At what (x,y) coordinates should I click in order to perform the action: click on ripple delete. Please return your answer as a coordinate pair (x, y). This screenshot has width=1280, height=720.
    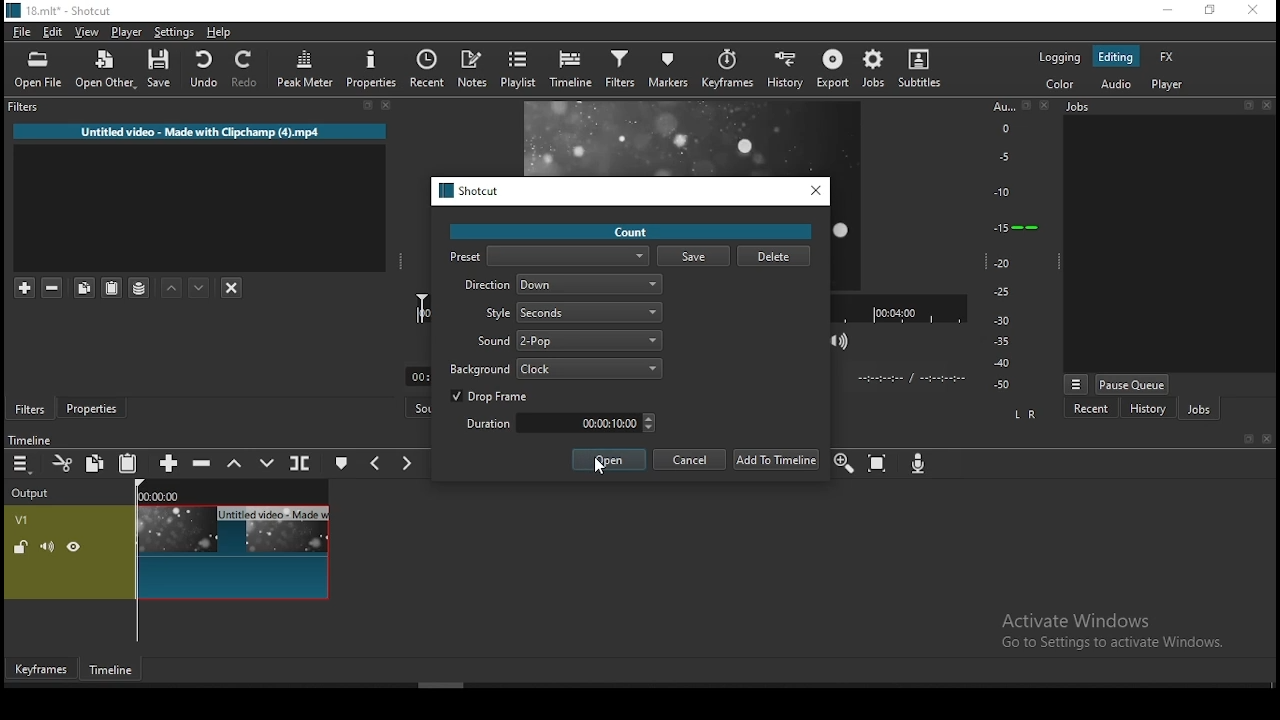
    Looking at the image, I should click on (203, 465).